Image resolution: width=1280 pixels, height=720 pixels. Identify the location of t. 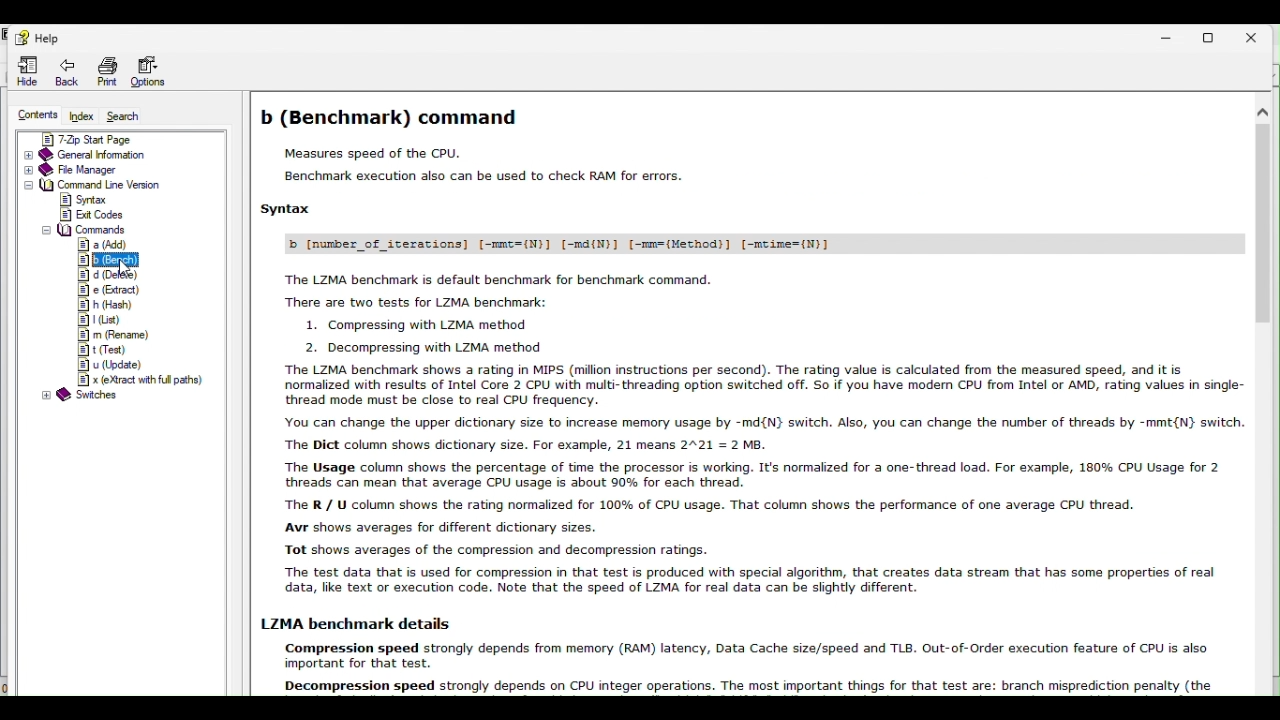
(113, 350).